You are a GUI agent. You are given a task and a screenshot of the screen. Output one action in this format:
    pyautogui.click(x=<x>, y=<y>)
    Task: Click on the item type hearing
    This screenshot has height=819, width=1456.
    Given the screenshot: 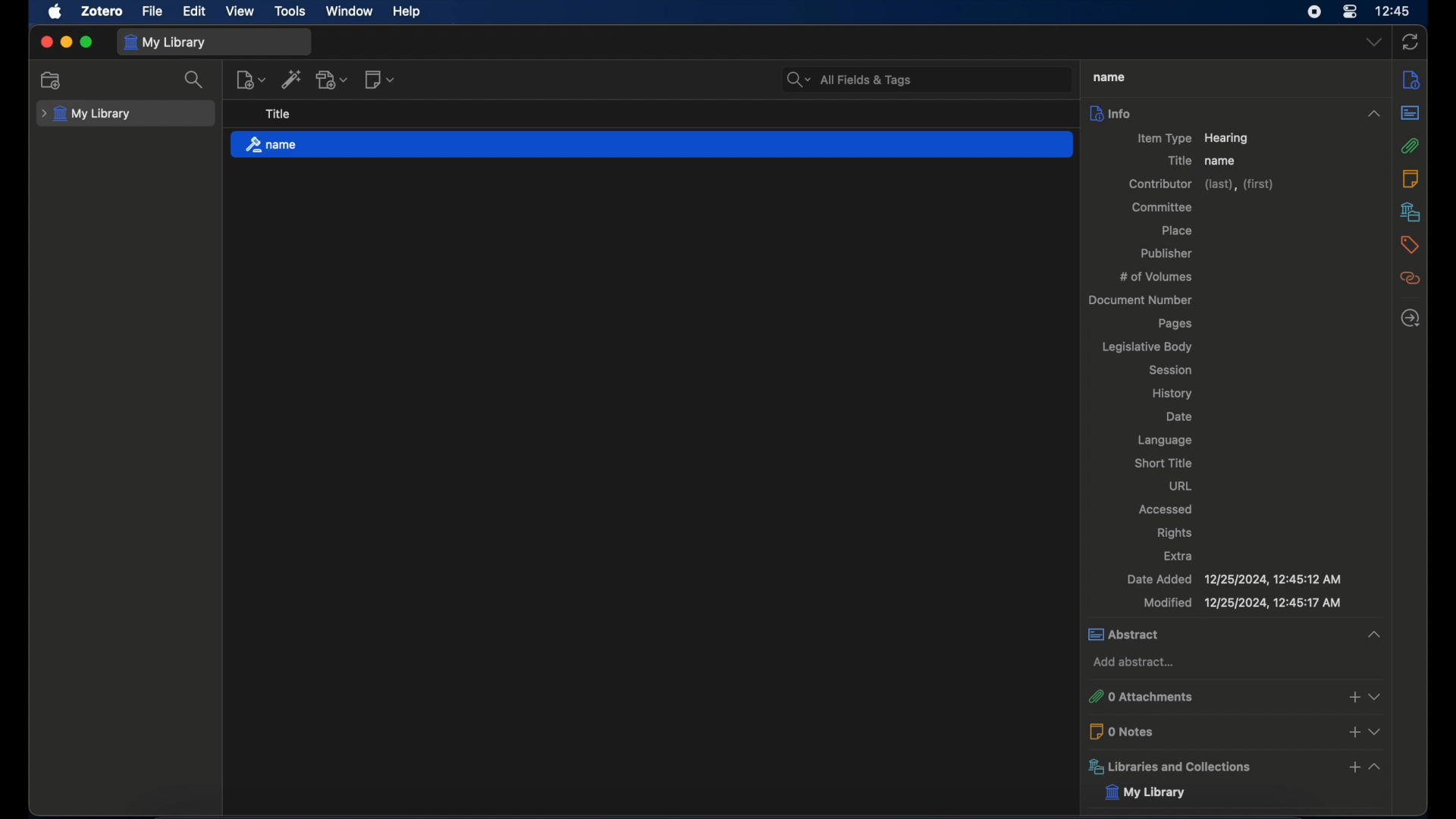 What is the action you would take?
    pyautogui.click(x=1192, y=139)
    